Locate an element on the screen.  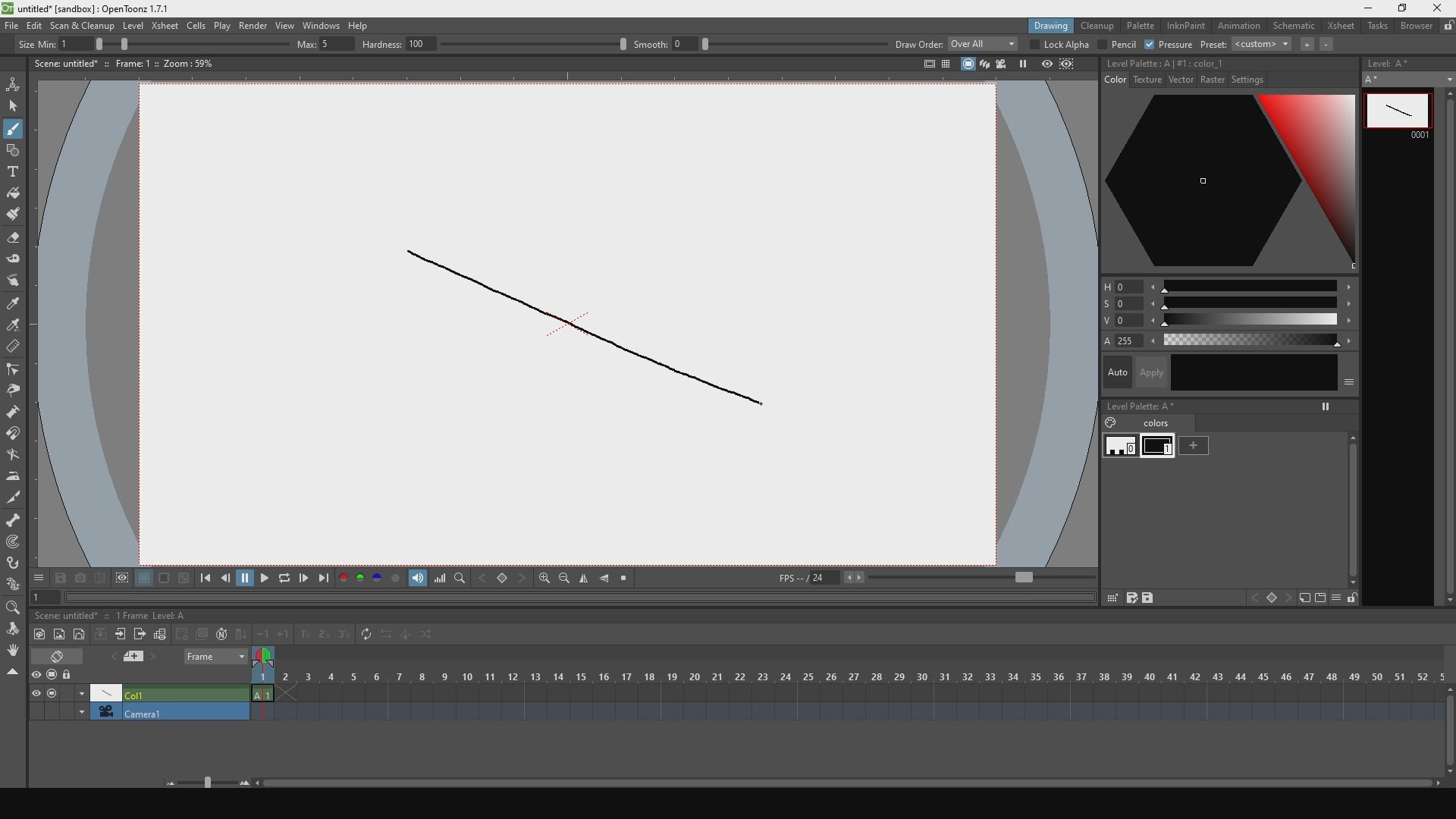
add is located at coordinates (1207, 448).